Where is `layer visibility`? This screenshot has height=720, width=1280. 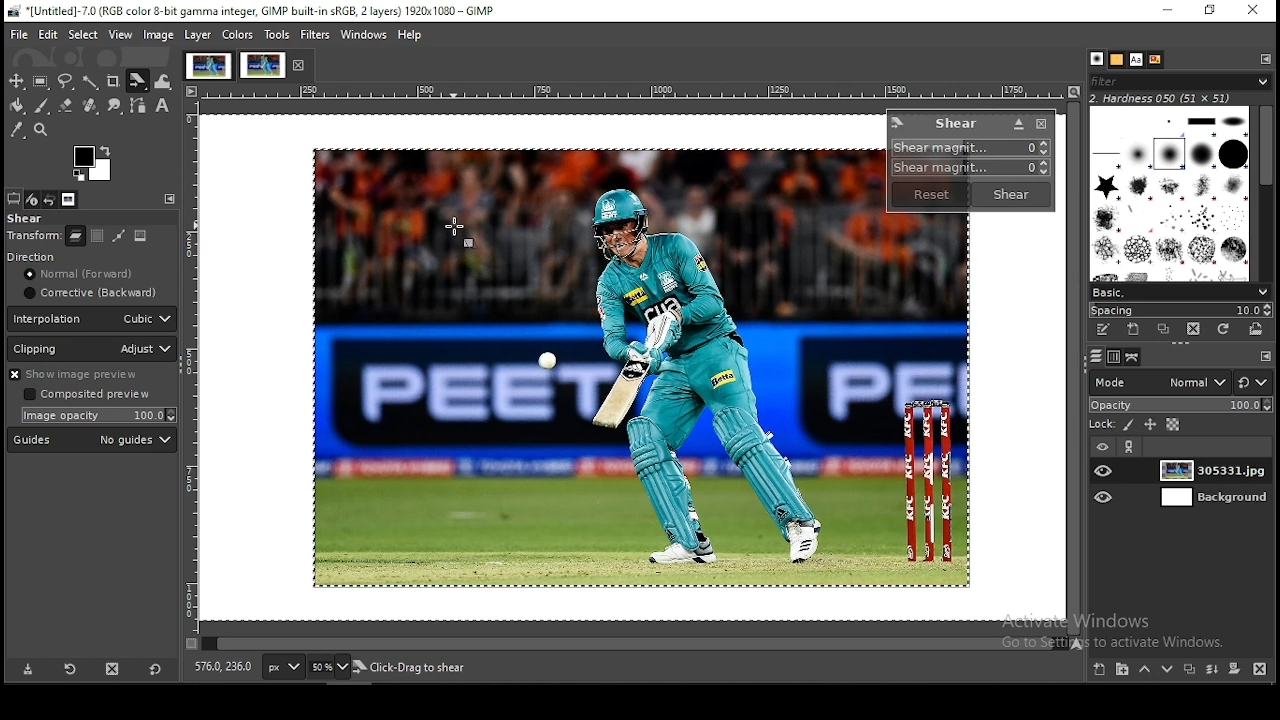 layer visibility is located at coordinates (1099, 447).